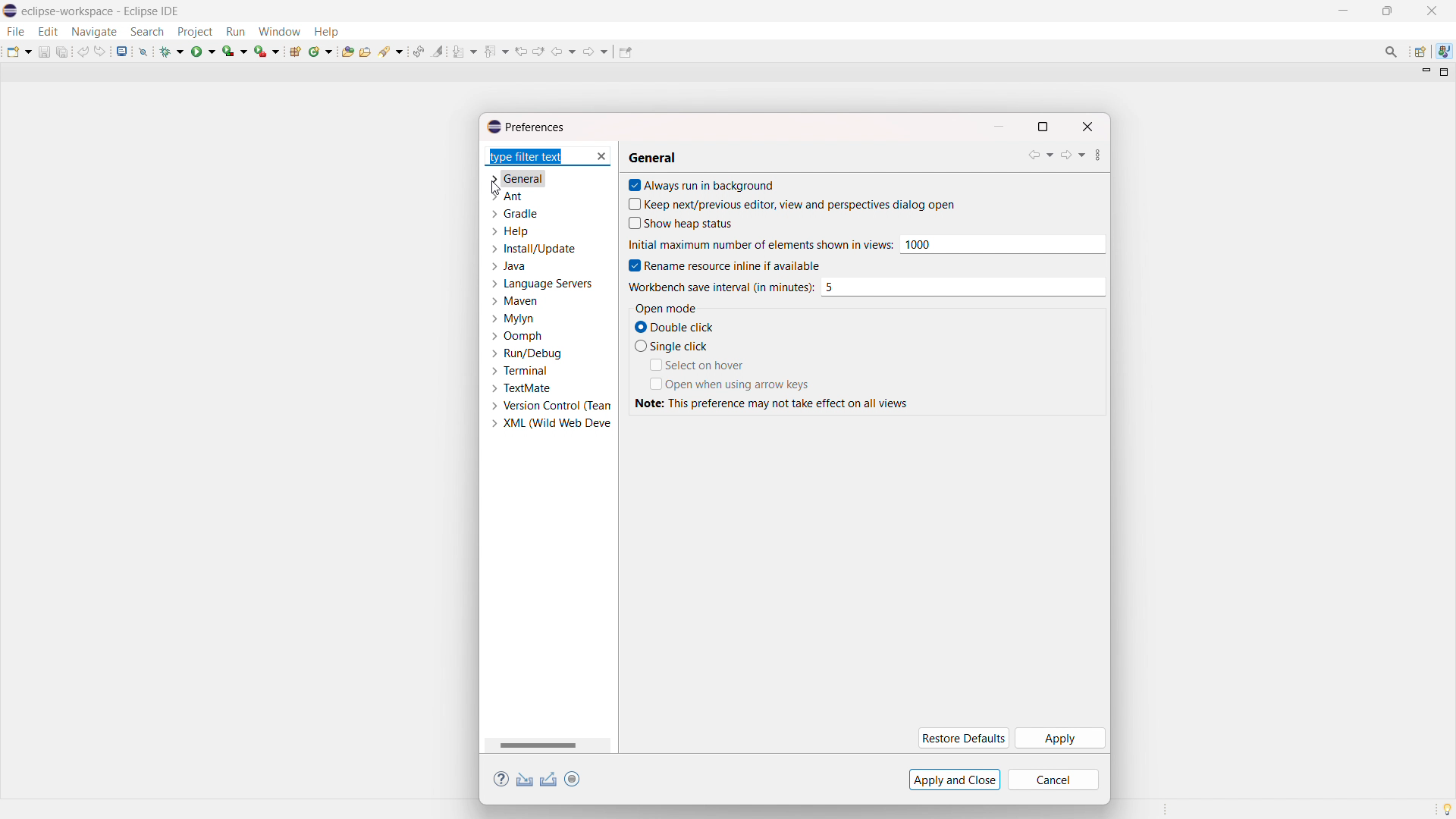 This screenshot has width=1456, height=819. What do you see at coordinates (800, 205) in the screenshot?
I see `keep next/previous editor, view and perspectives dialog open` at bounding box center [800, 205].